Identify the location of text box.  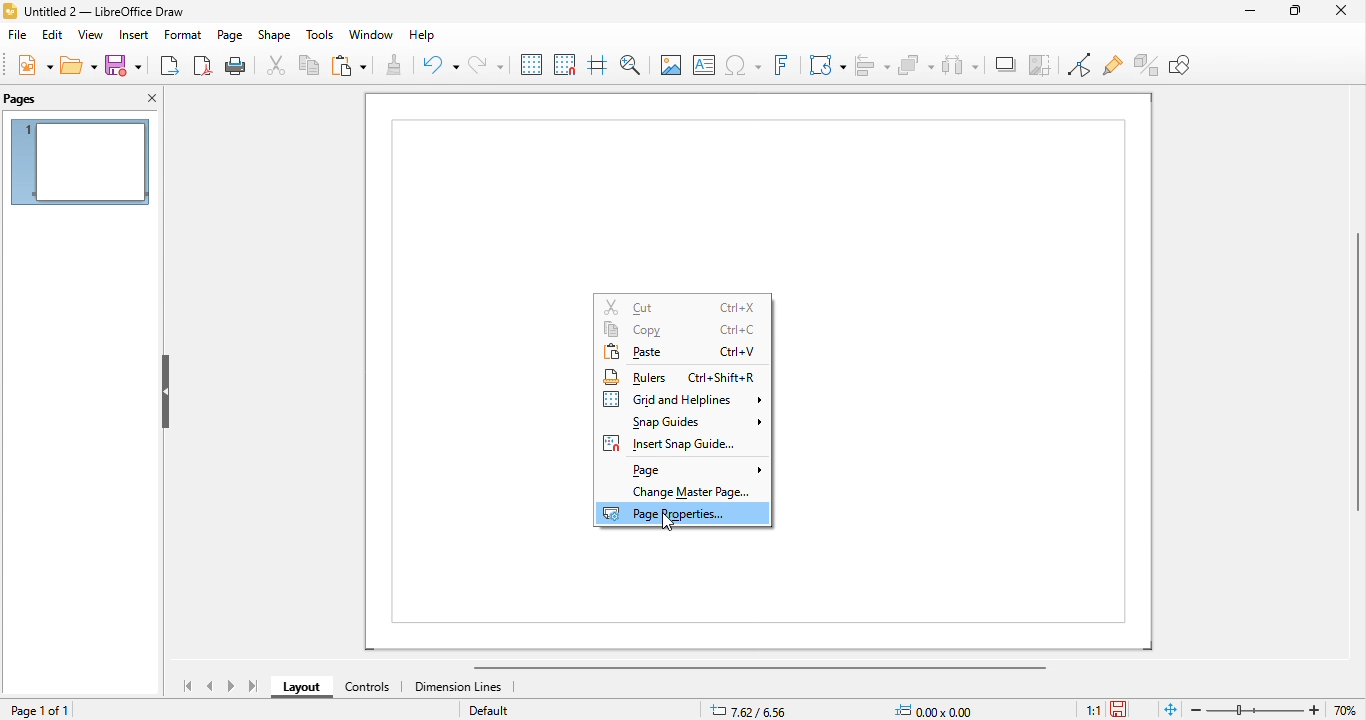
(703, 65).